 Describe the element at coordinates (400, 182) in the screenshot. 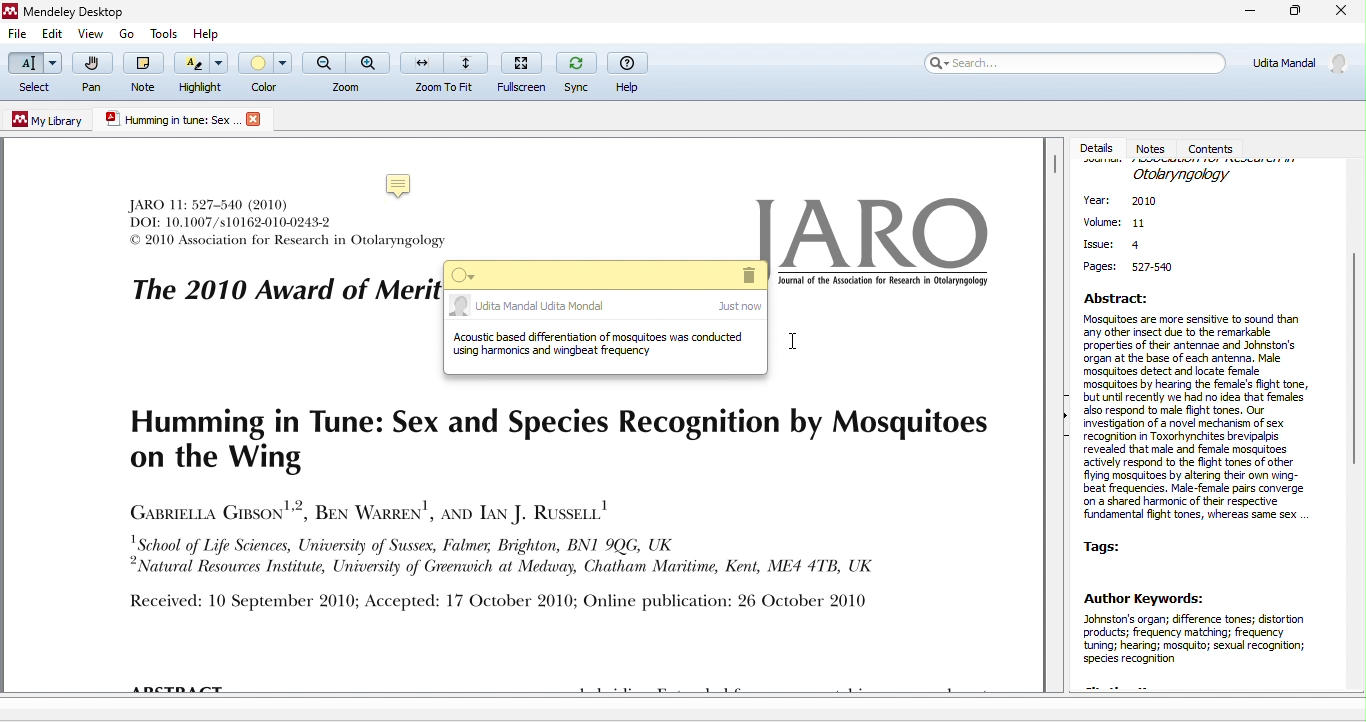

I see `note` at that location.